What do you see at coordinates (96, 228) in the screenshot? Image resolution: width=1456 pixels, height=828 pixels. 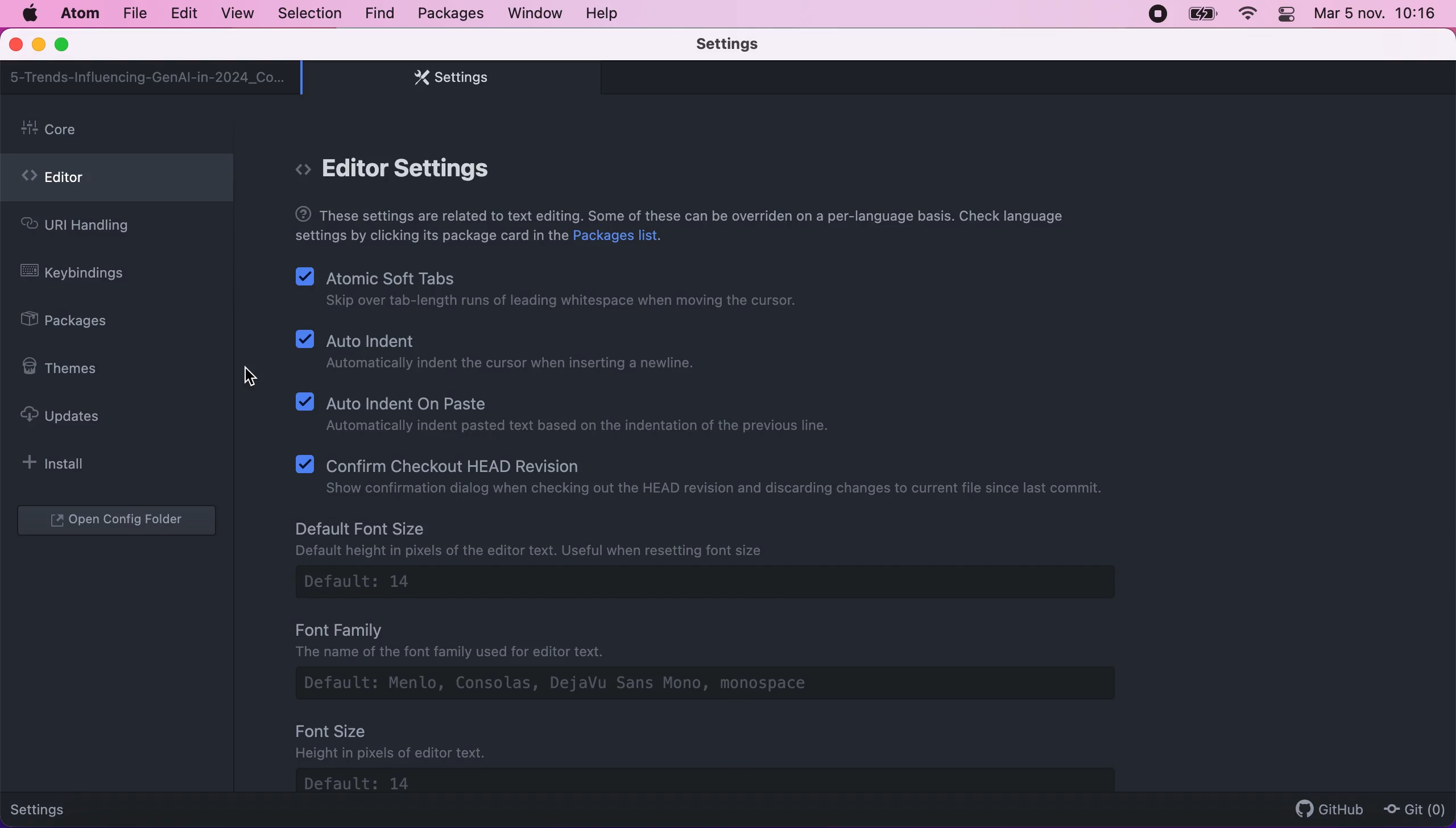 I see `URI handling` at bounding box center [96, 228].